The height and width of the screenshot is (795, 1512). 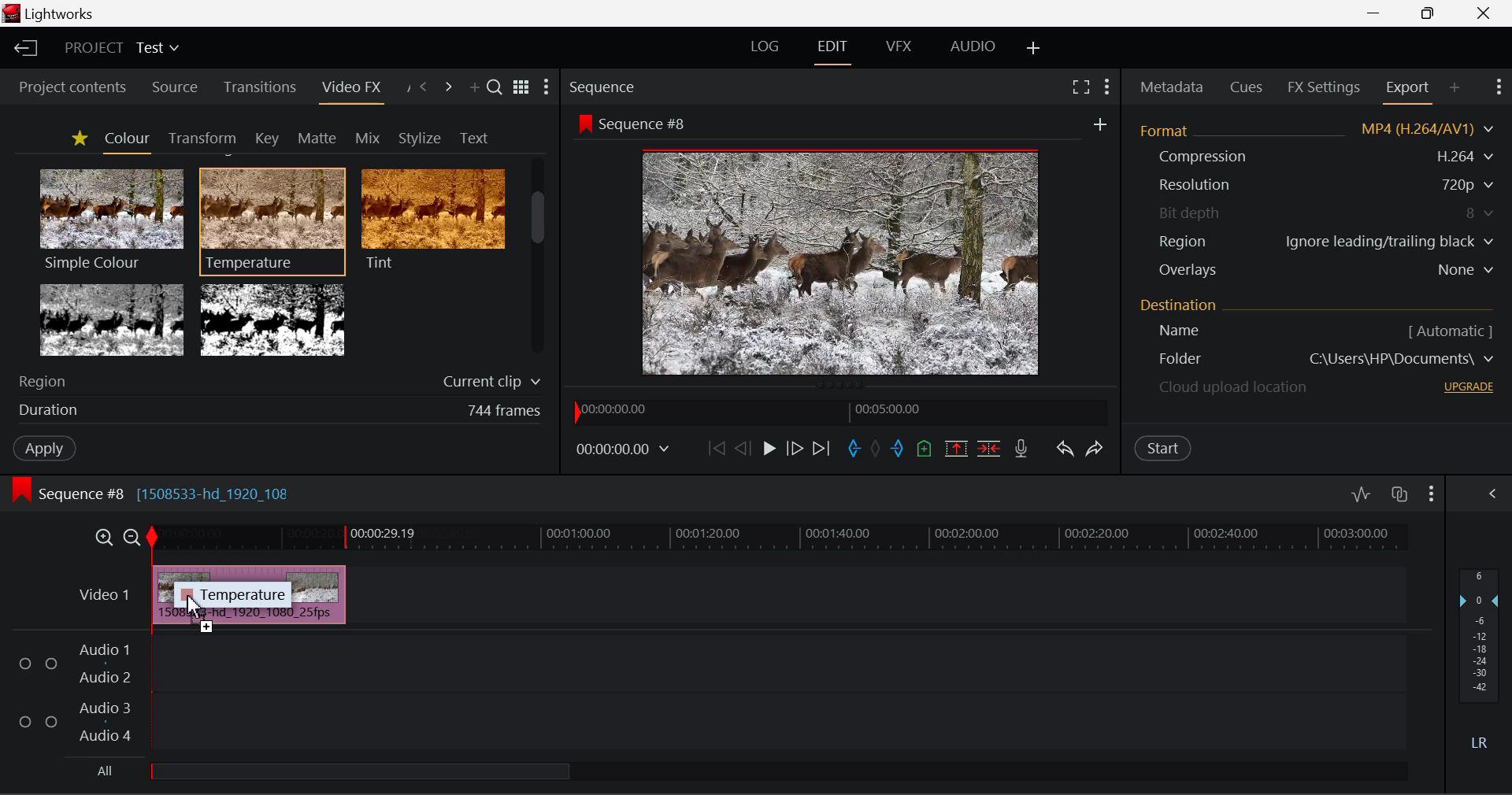 I want to click on Decibel Level, so click(x=1480, y=656).